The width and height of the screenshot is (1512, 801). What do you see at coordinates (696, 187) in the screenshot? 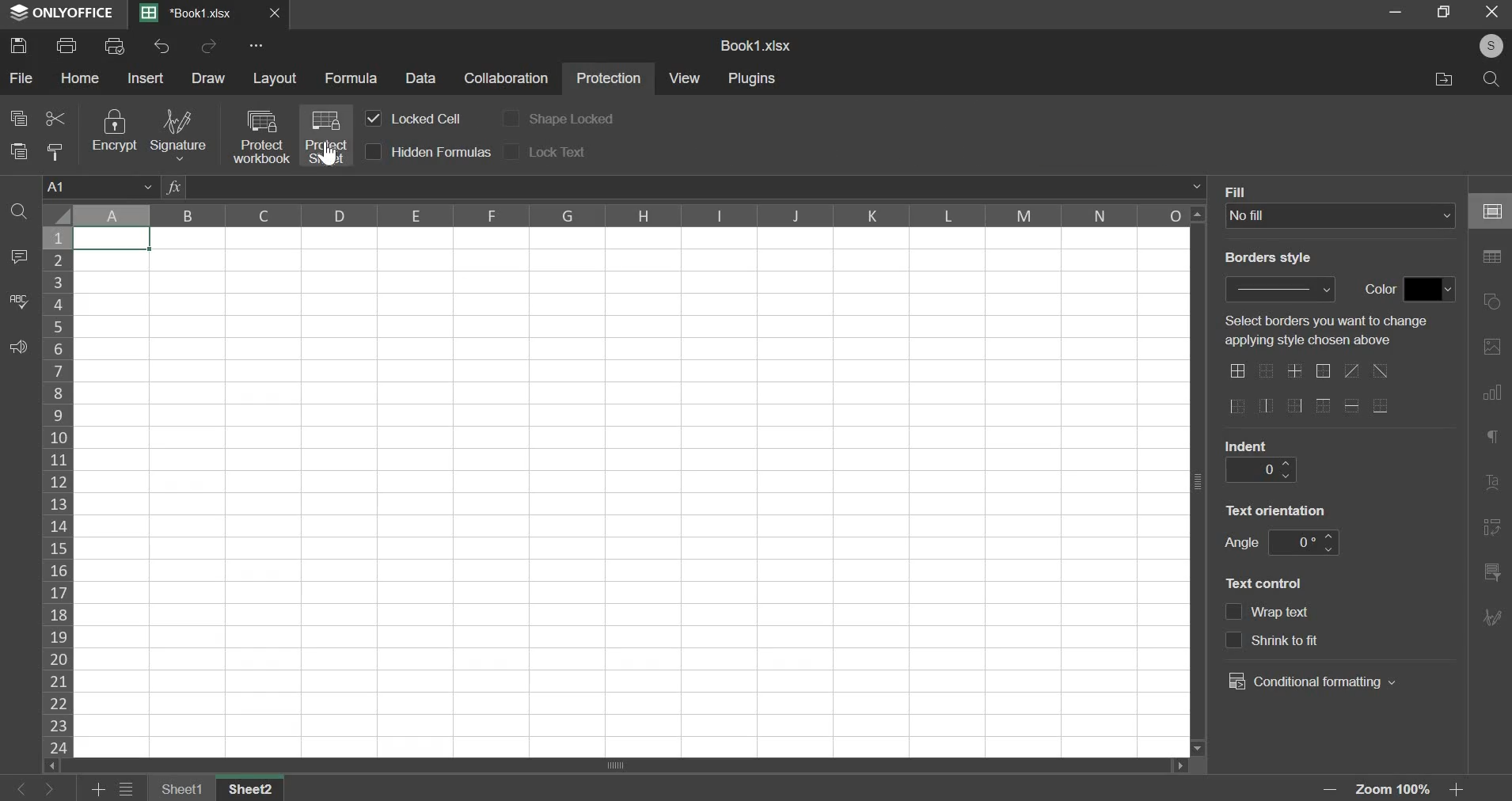
I see `formula bar` at bounding box center [696, 187].